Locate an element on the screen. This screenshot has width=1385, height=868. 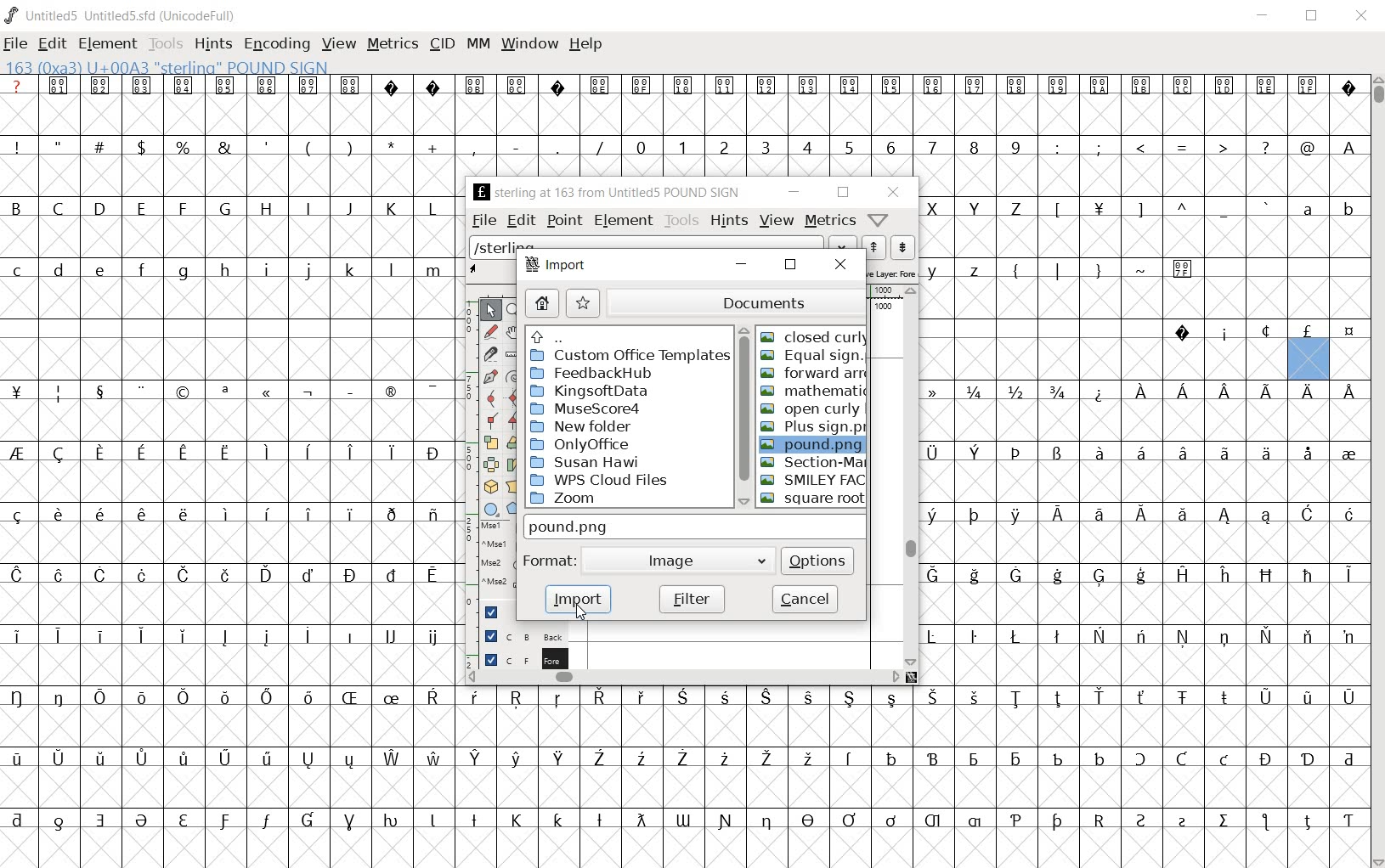
 is located at coordinates (181, 514).